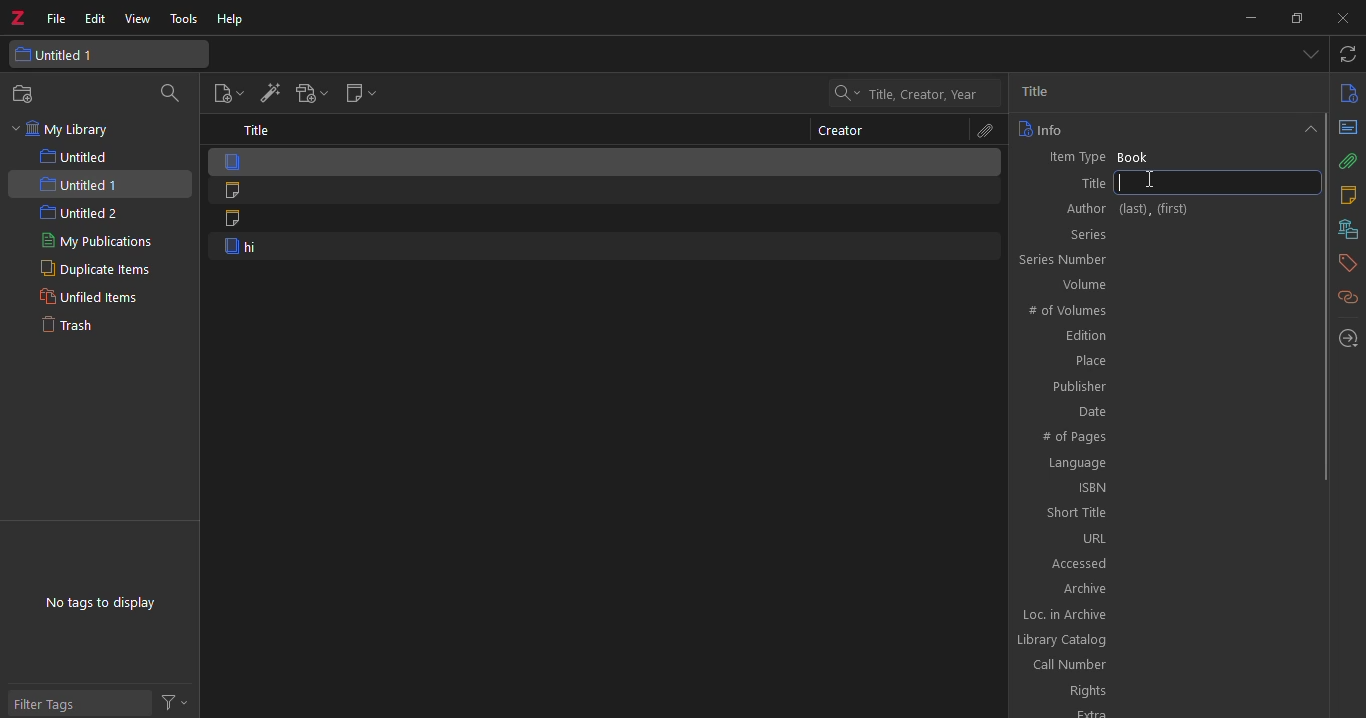 Image resolution: width=1366 pixels, height=718 pixels. I want to click on notes, so click(1347, 195).